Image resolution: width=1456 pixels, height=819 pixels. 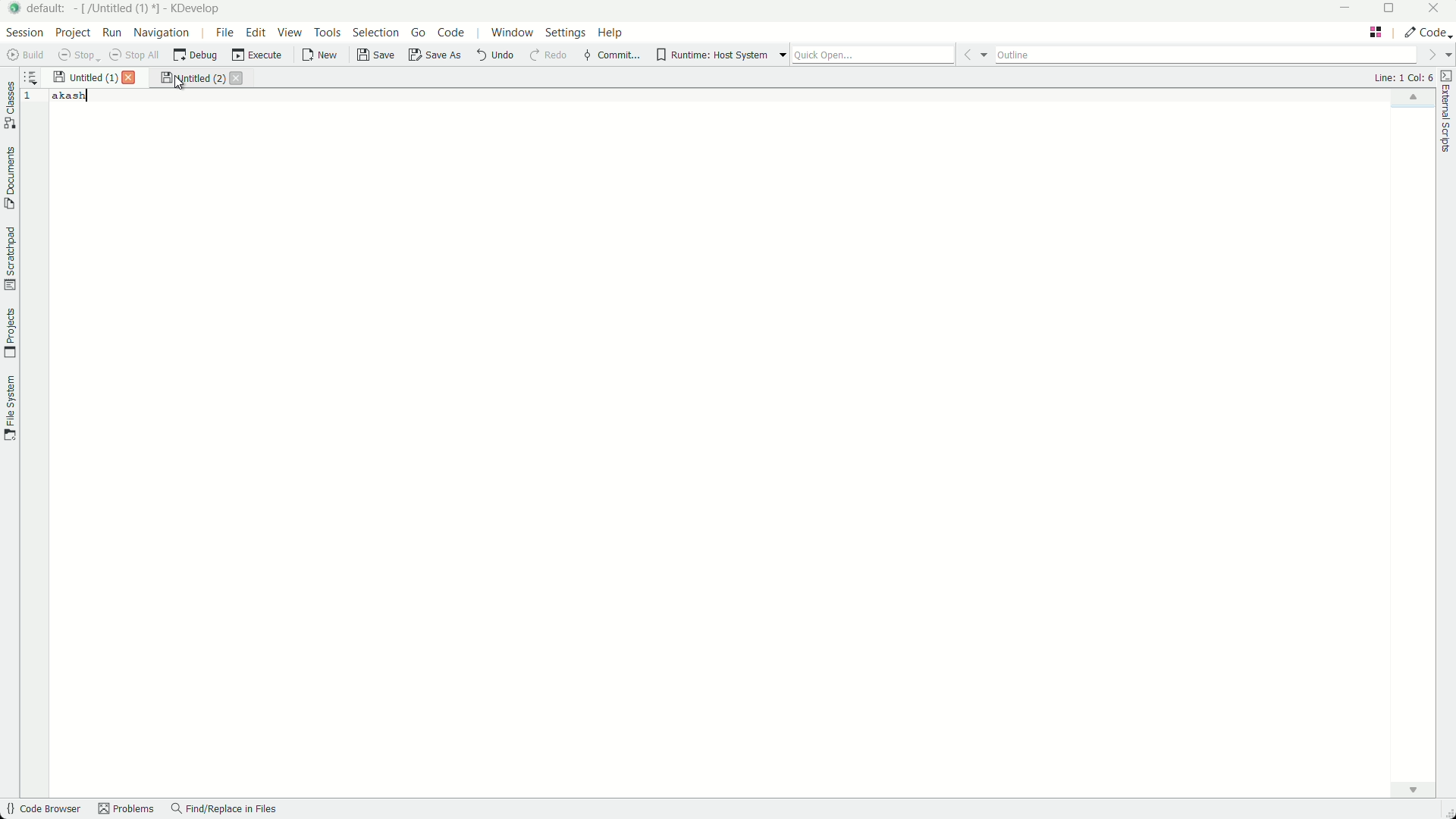 What do you see at coordinates (179, 84) in the screenshot?
I see `Cursor` at bounding box center [179, 84].